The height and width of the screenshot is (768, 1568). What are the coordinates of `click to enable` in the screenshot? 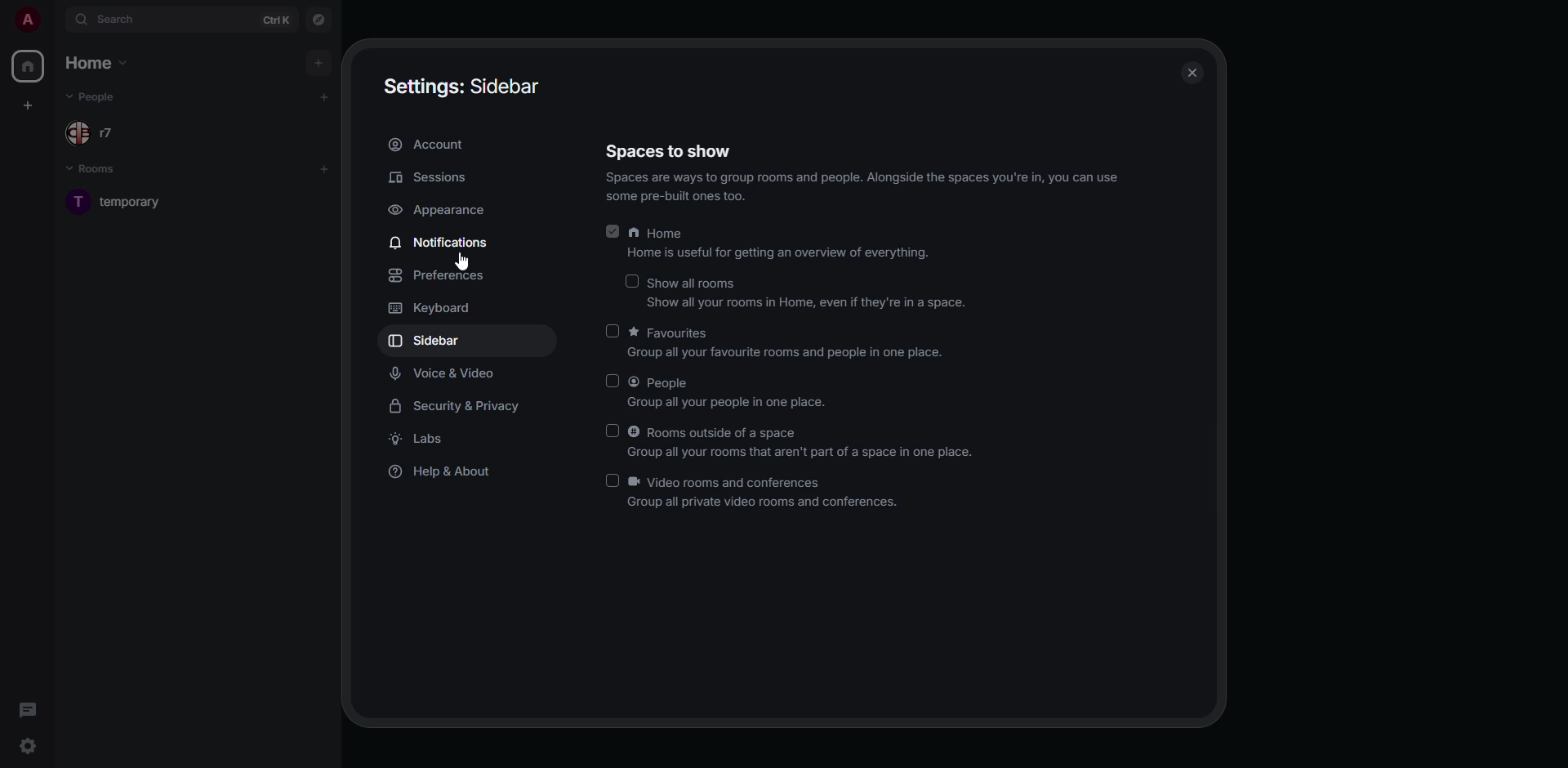 It's located at (612, 478).